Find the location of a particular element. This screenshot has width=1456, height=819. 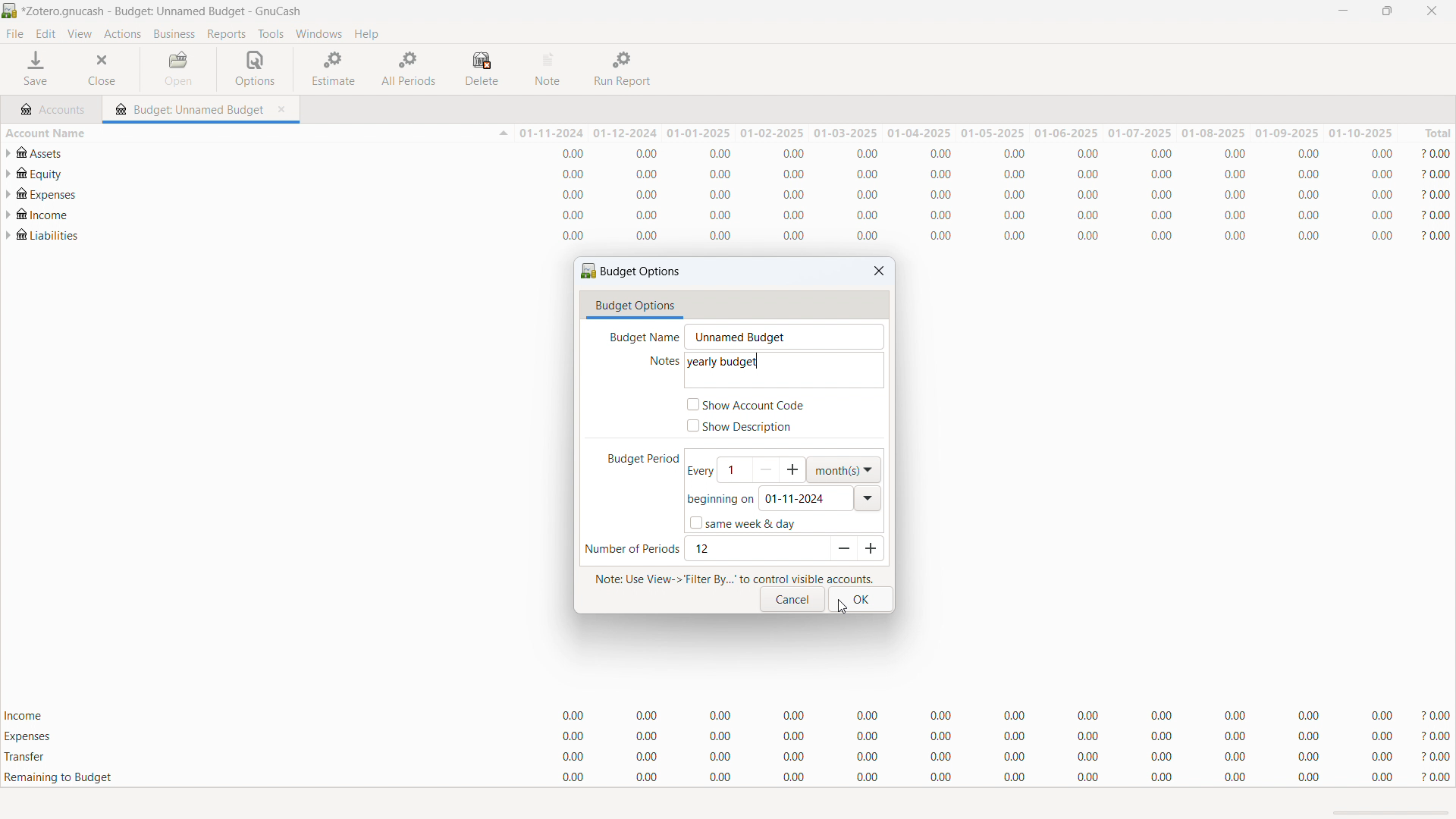

expand subaccounts is located at coordinates (9, 174).